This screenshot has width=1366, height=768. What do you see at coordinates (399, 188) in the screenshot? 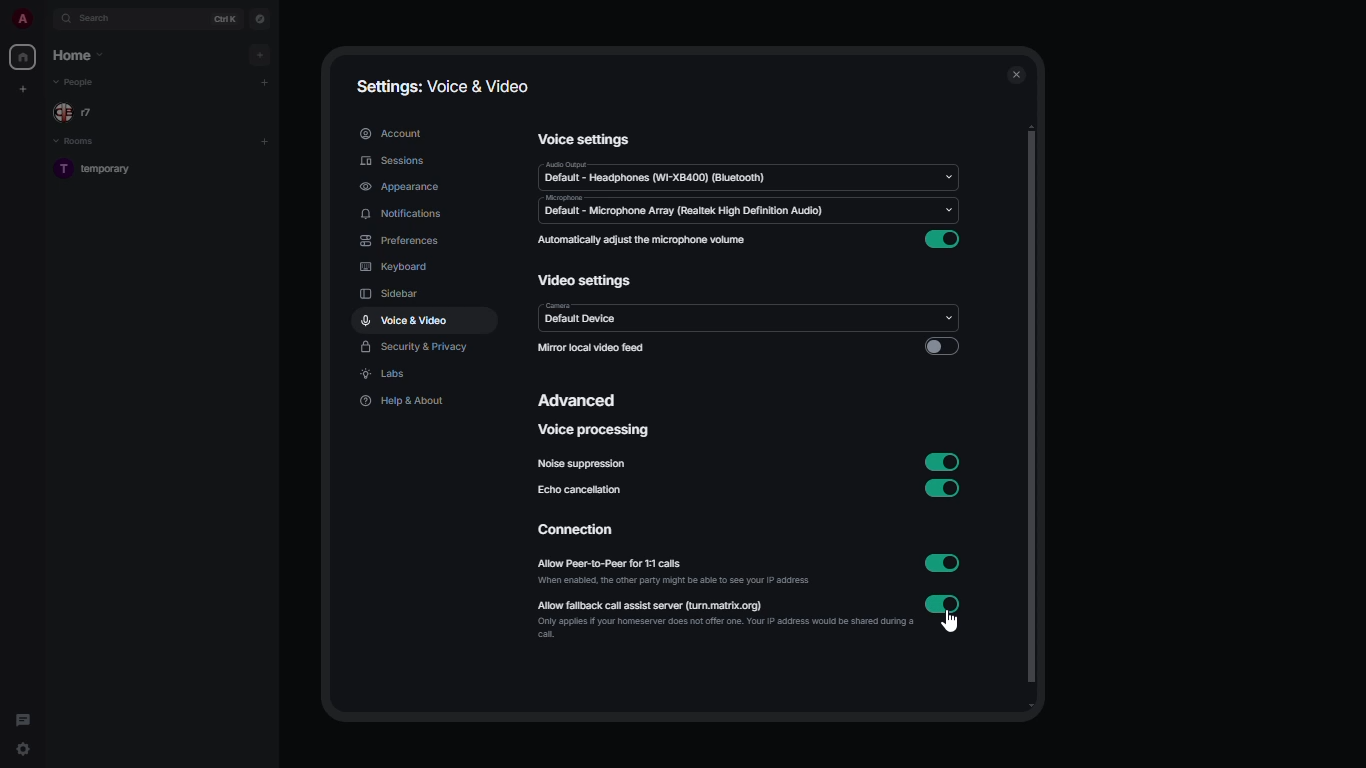
I see `appearance` at bounding box center [399, 188].